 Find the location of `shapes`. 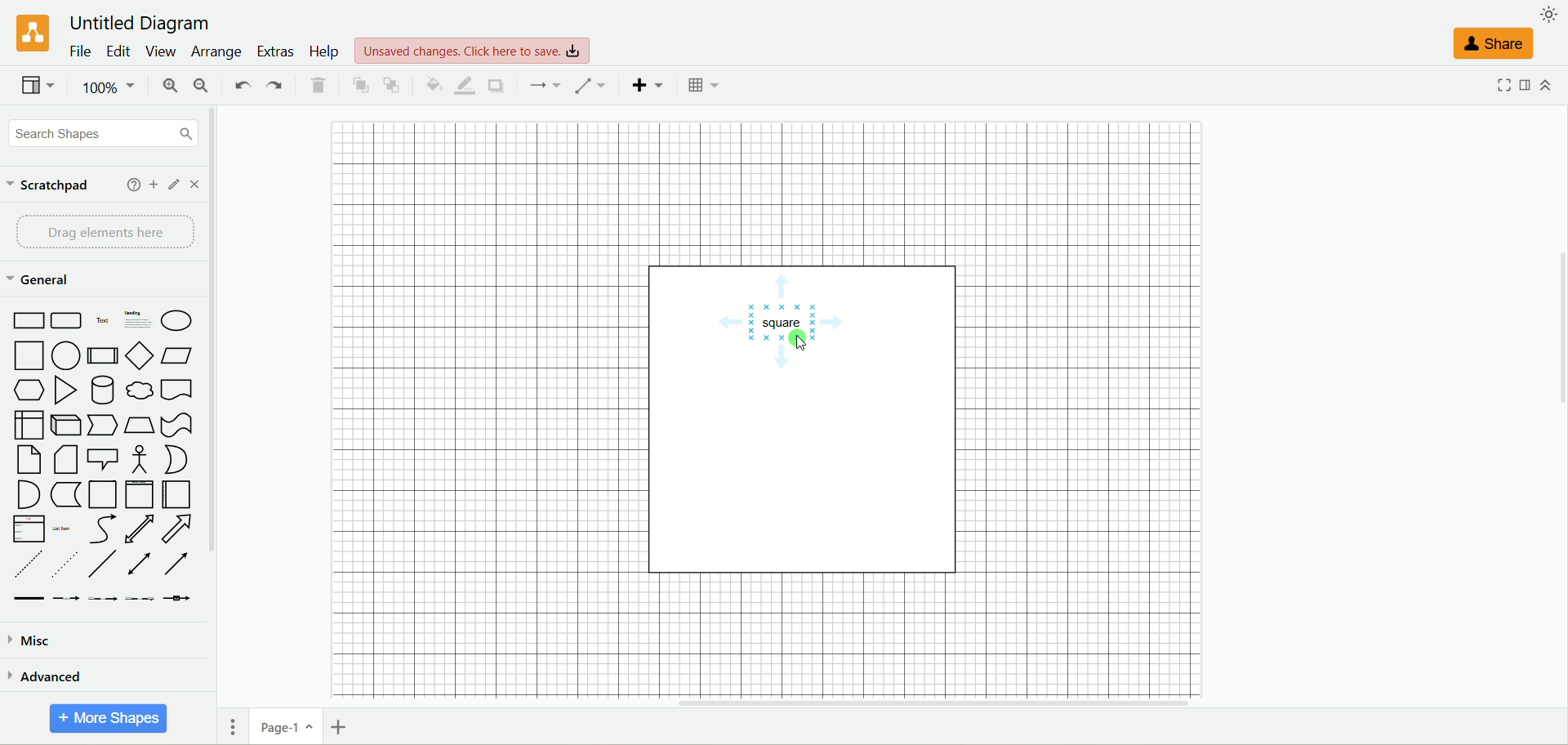

shapes is located at coordinates (100, 454).